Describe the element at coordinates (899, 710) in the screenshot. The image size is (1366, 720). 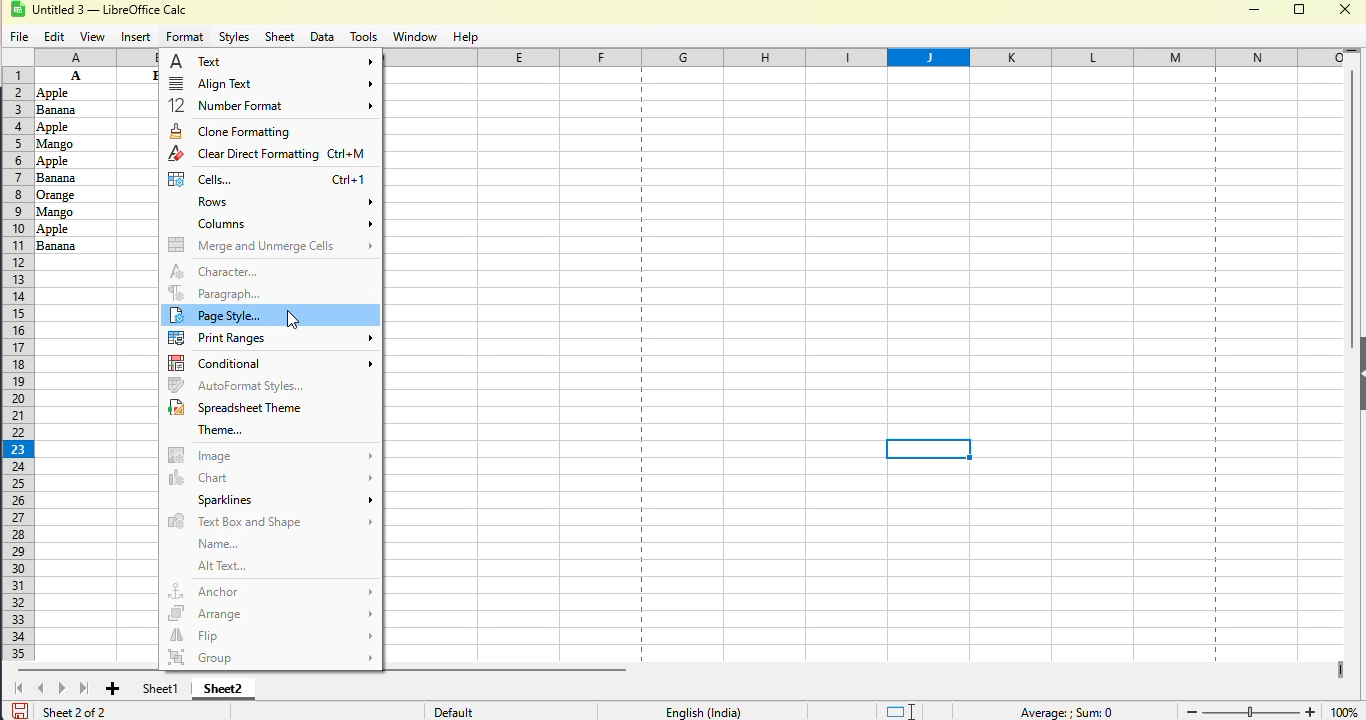
I see `standard selection` at that location.